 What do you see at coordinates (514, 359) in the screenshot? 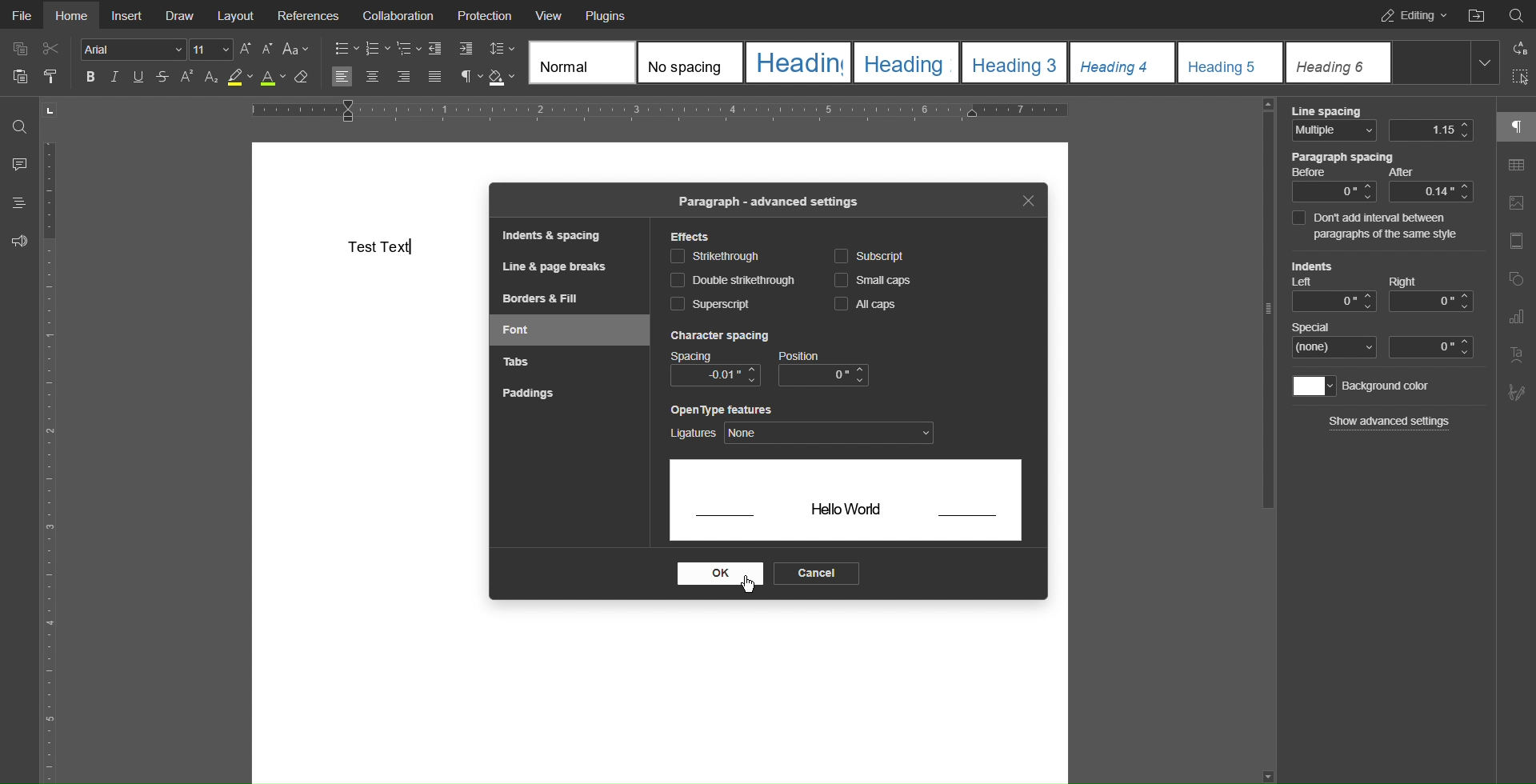
I see `Tabs` at bounding box center [514, 359].